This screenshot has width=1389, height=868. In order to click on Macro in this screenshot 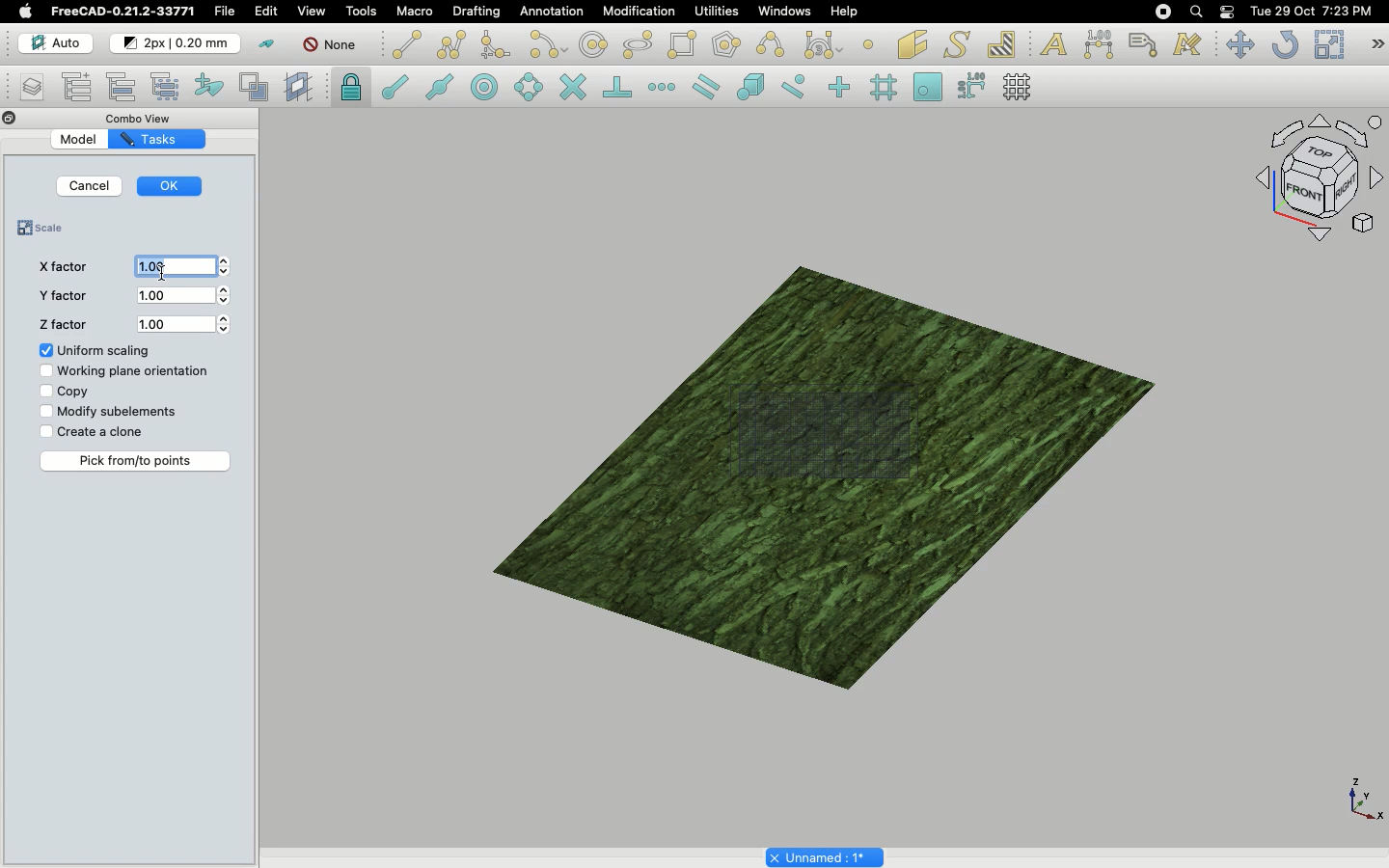, I will do `click(416, 12)`.